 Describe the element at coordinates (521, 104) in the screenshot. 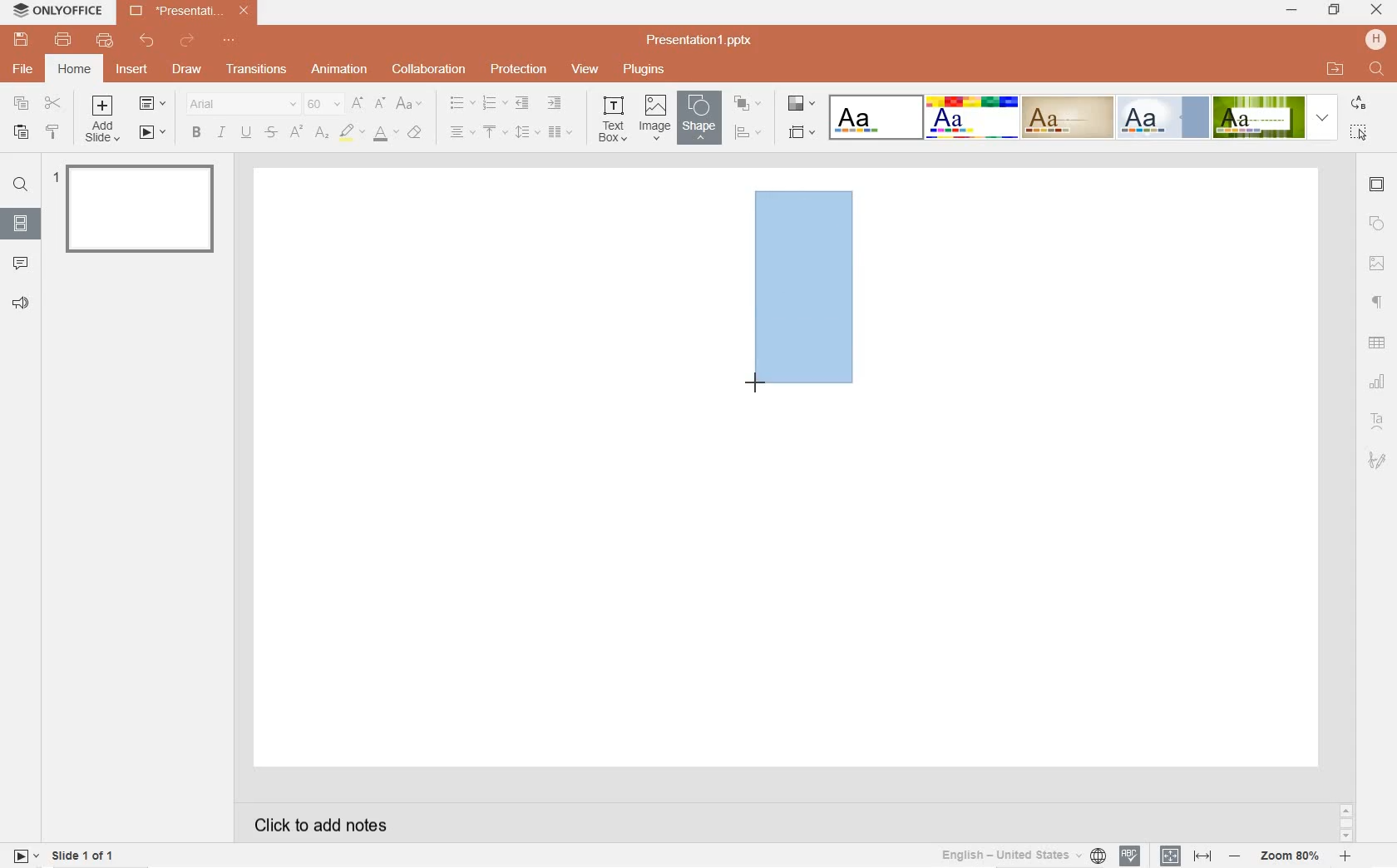

I see `decrease indent` at that location.